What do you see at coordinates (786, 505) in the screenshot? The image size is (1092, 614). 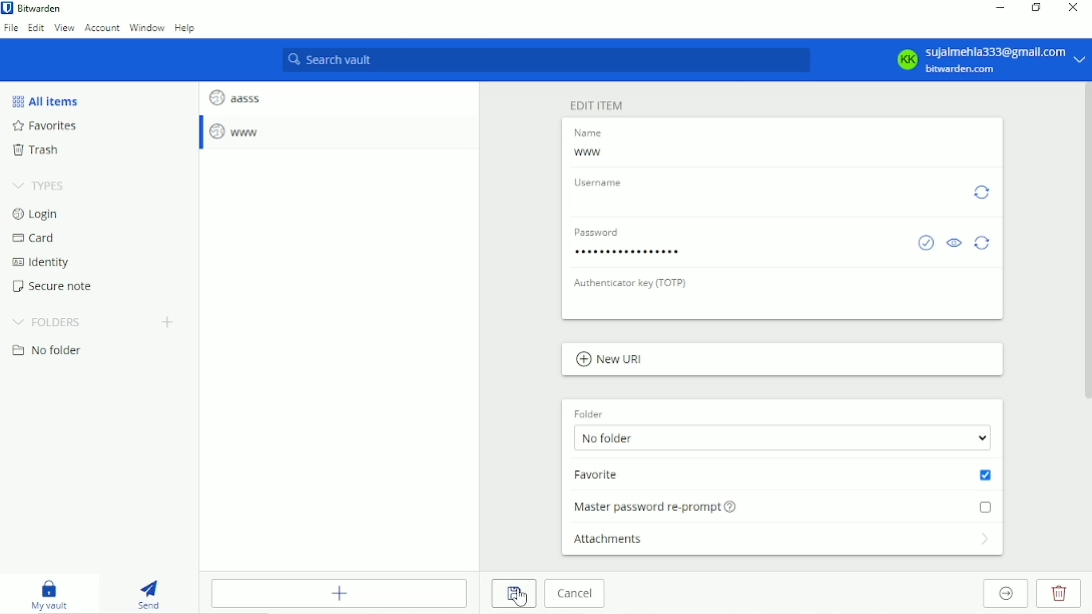 I see `Master password re-prompt` at bounding box center [786, 505].